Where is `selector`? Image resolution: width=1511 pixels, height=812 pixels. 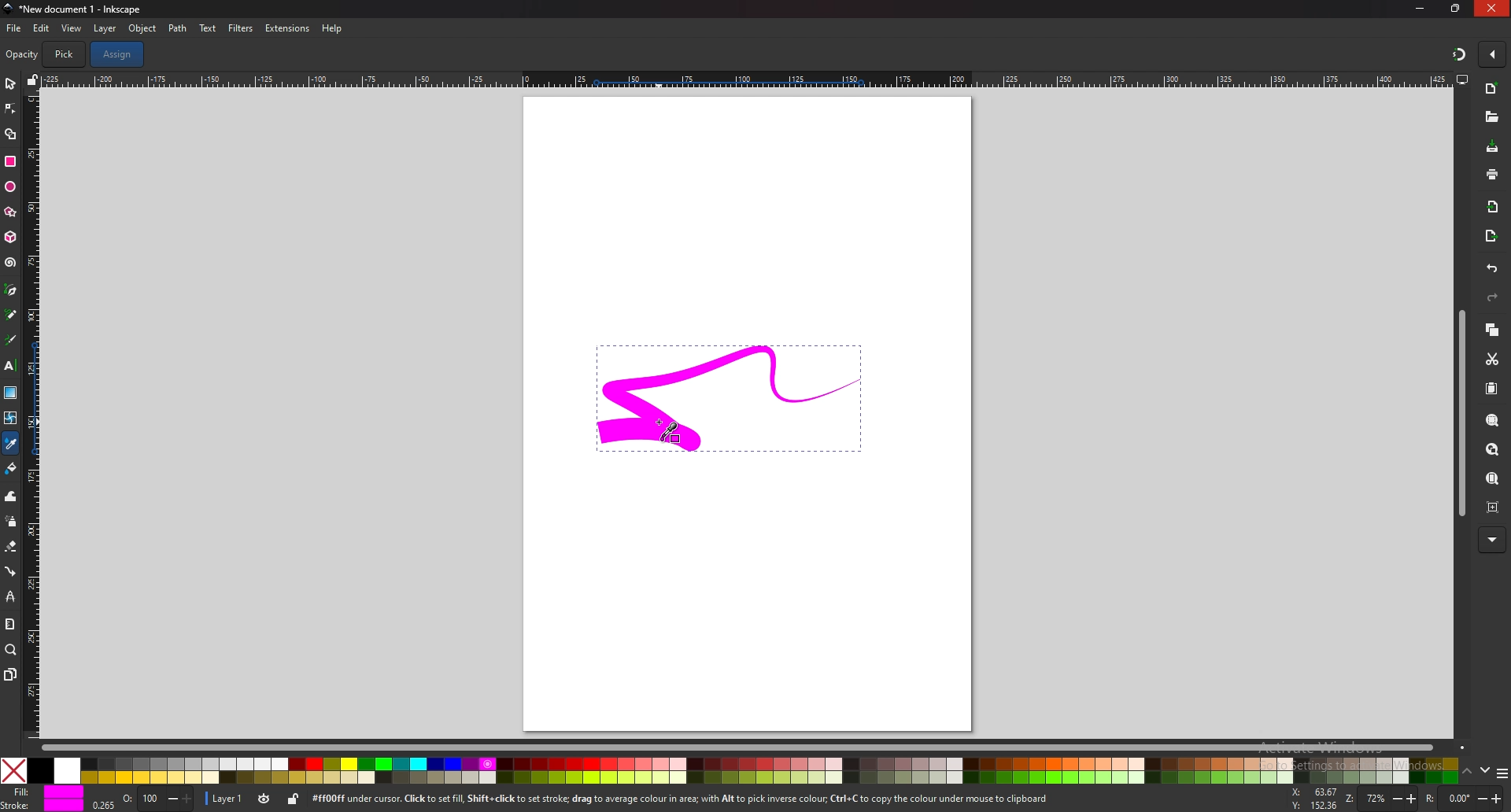
selector is located at coordinates (10, 83).